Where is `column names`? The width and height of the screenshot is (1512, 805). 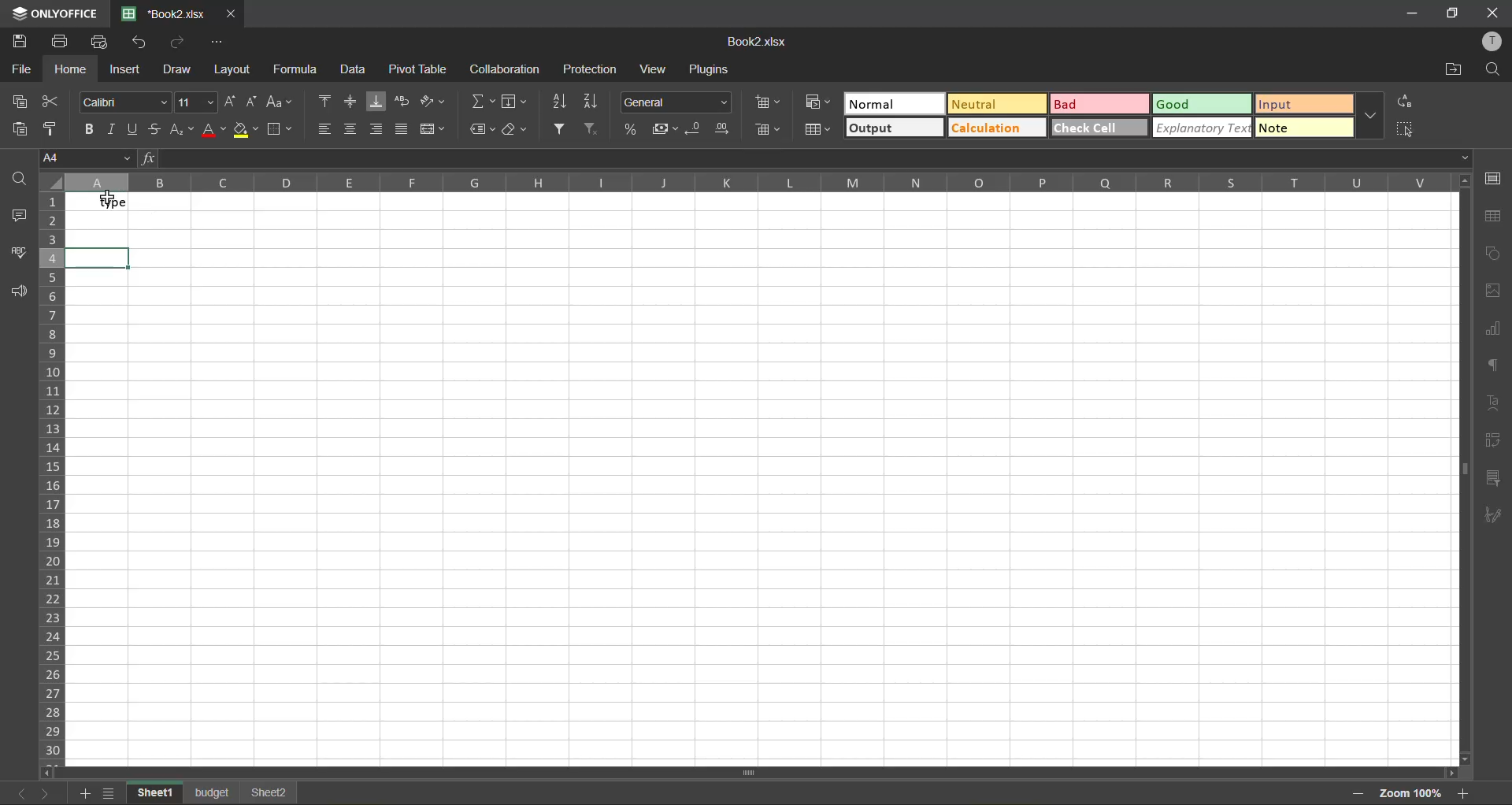
column names is located at coordinates (754, 183).